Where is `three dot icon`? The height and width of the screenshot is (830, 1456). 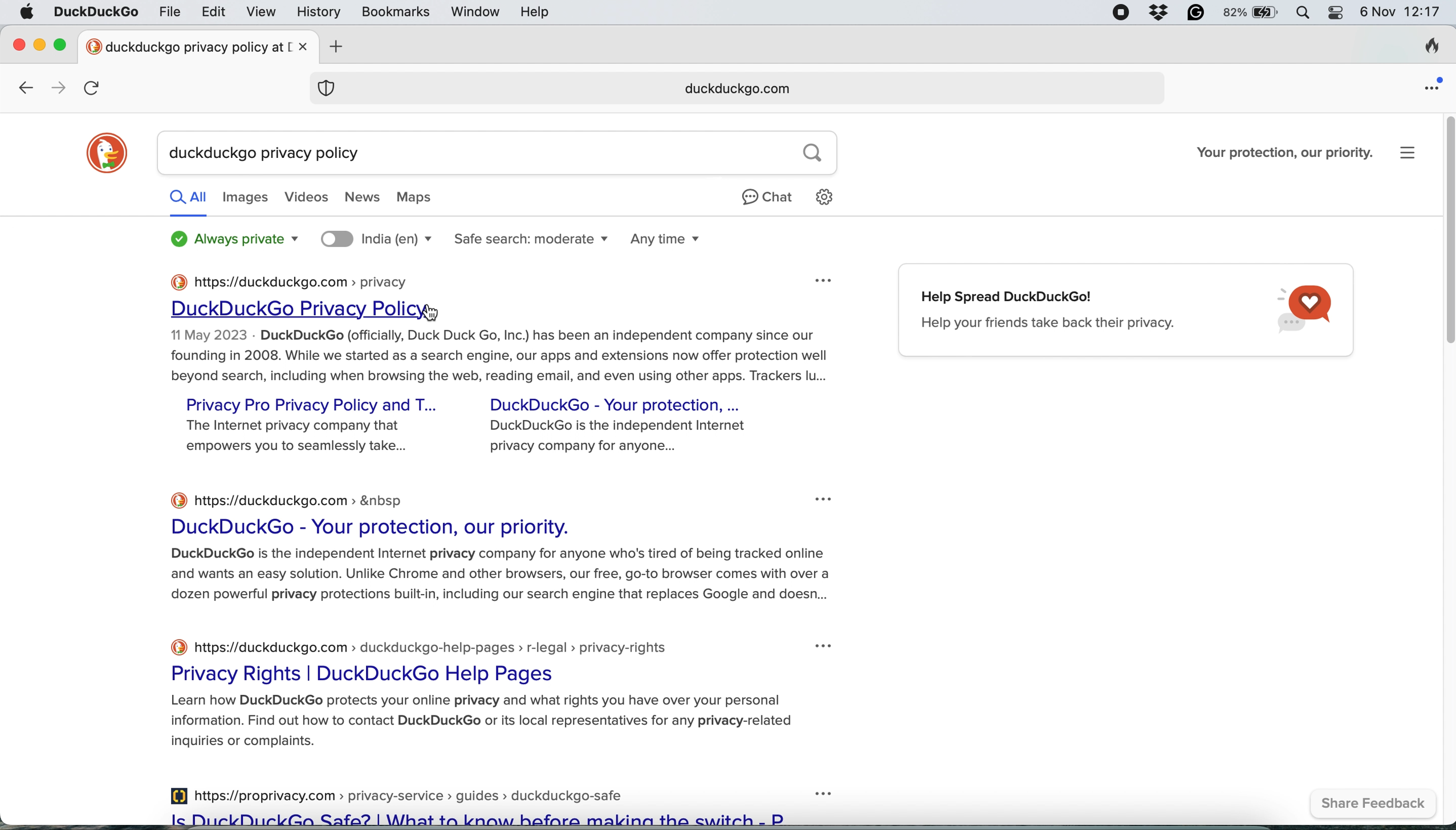 three dot icon is located at coordinates (823, 279).